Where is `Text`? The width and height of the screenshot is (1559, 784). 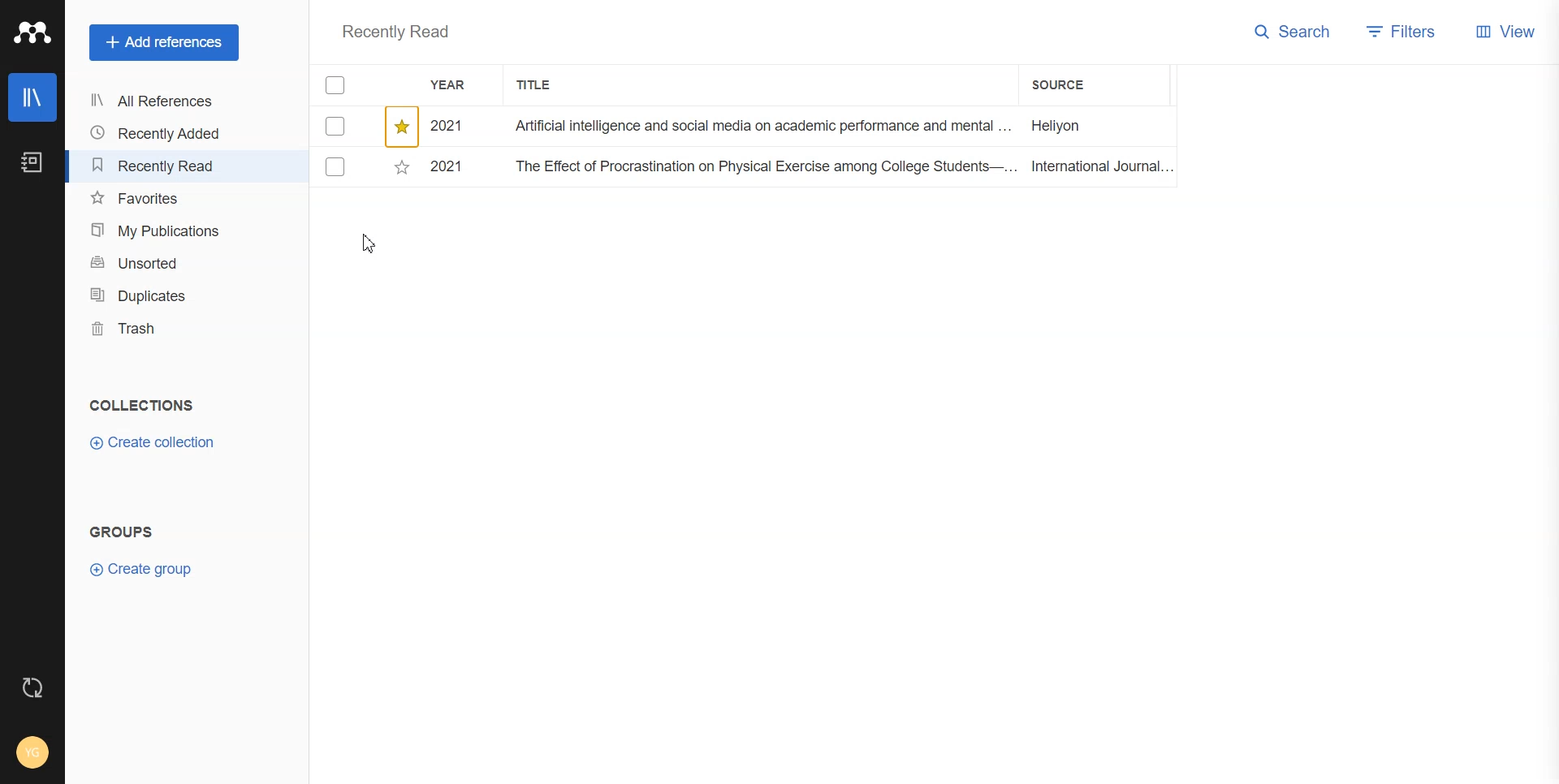 Text is located at coordinates (397, 31).